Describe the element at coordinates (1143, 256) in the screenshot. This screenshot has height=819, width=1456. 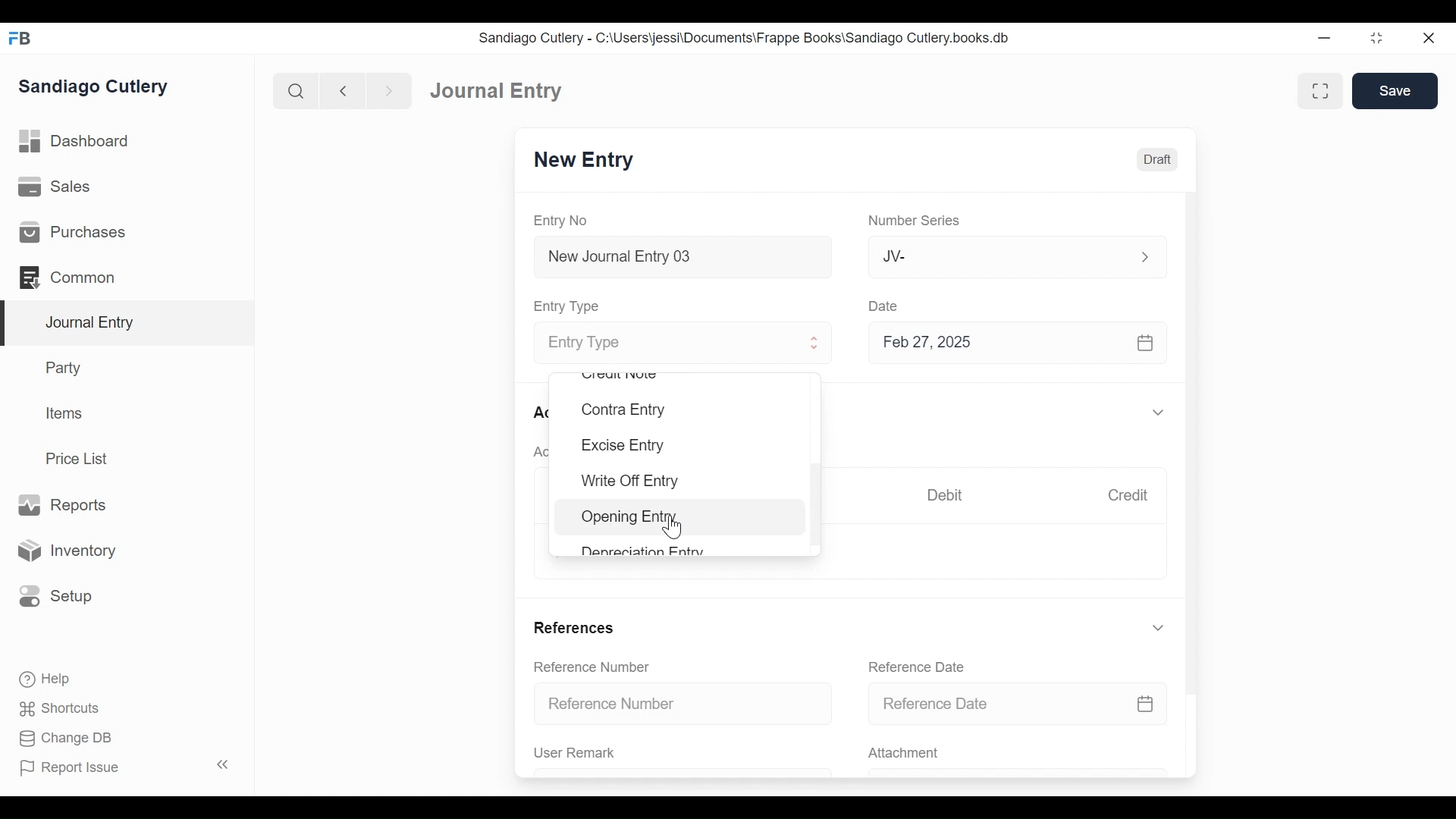
I see `Expand` at that location.